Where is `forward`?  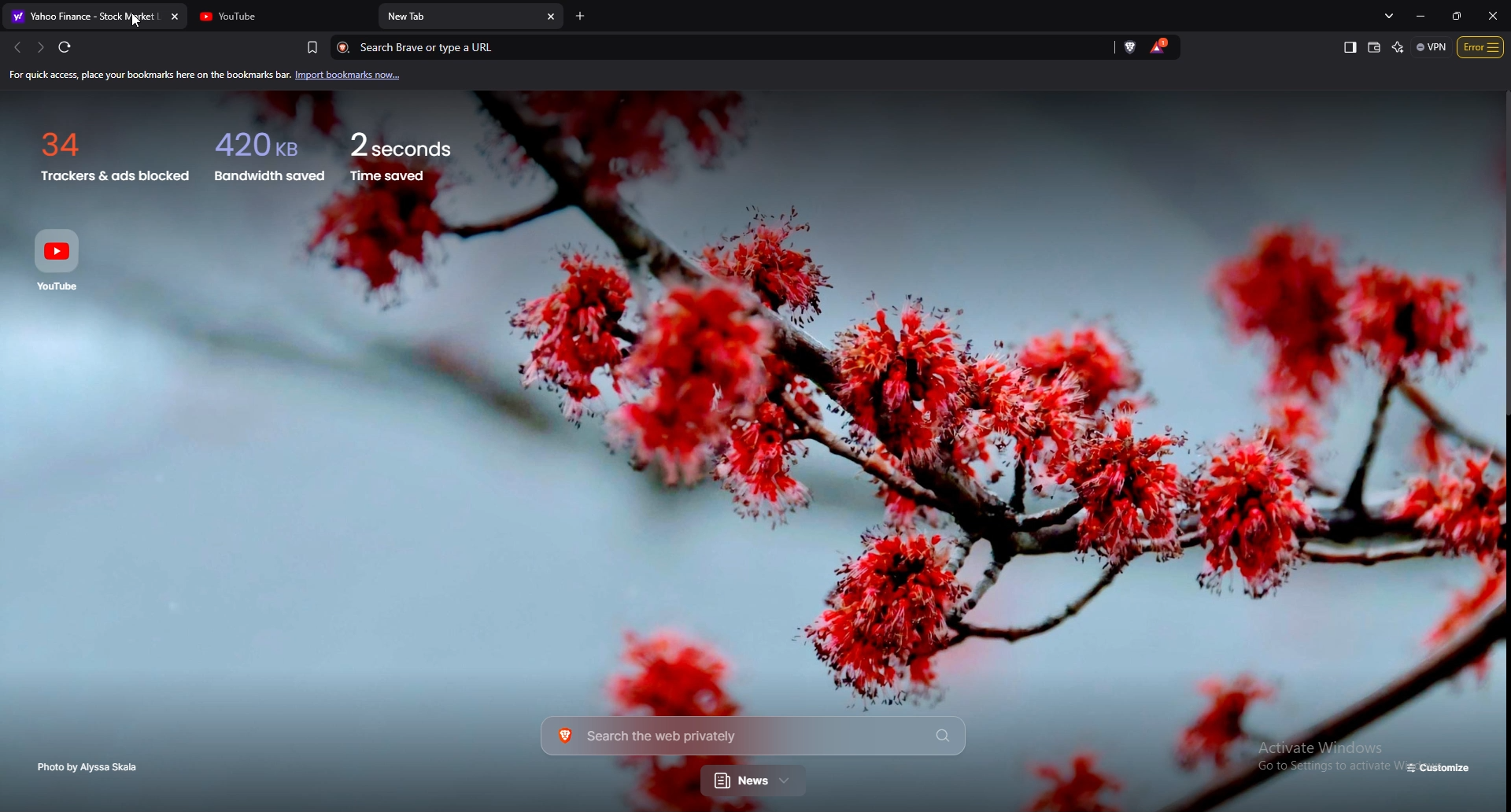
forward is located at coordinates (39, 47).